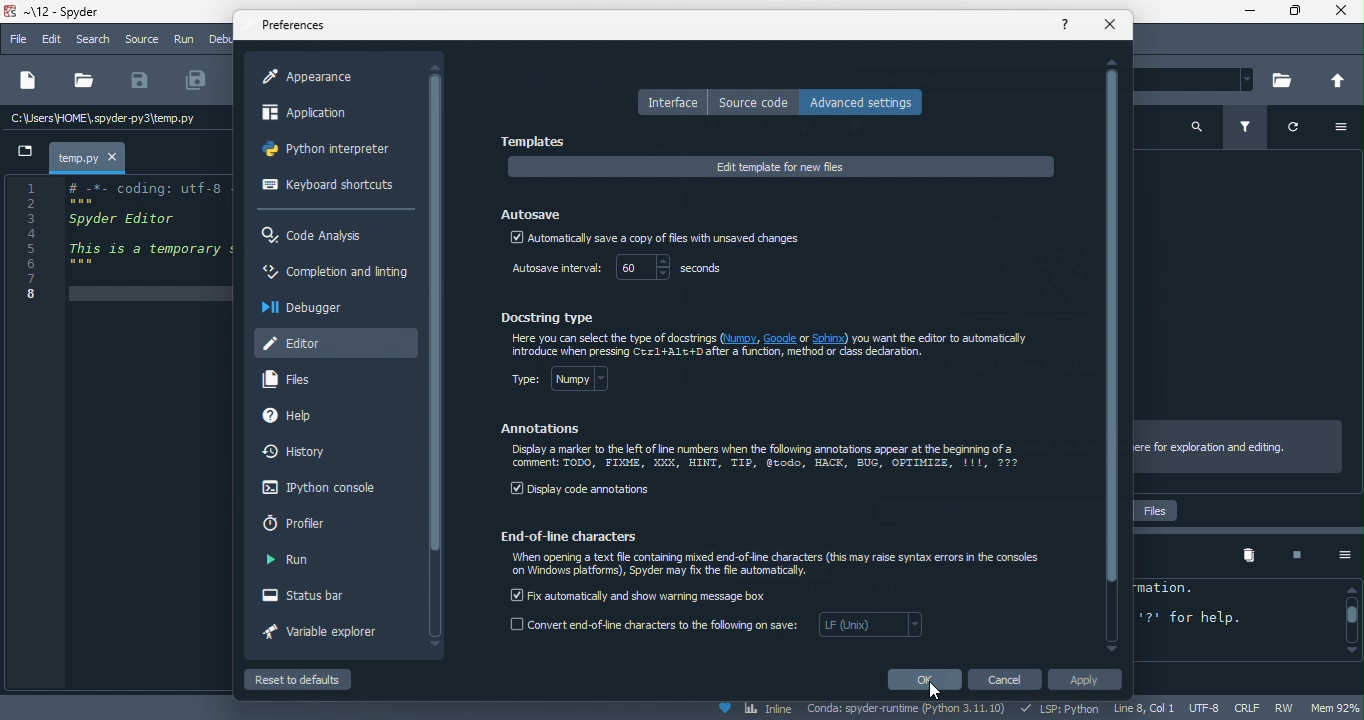 Image resolution: width=1364 pixels, height=720 pixels. What do you see at coordinates (676, 269) in the screenshot?
I see `60 sec` at bounding box center [676, 269].